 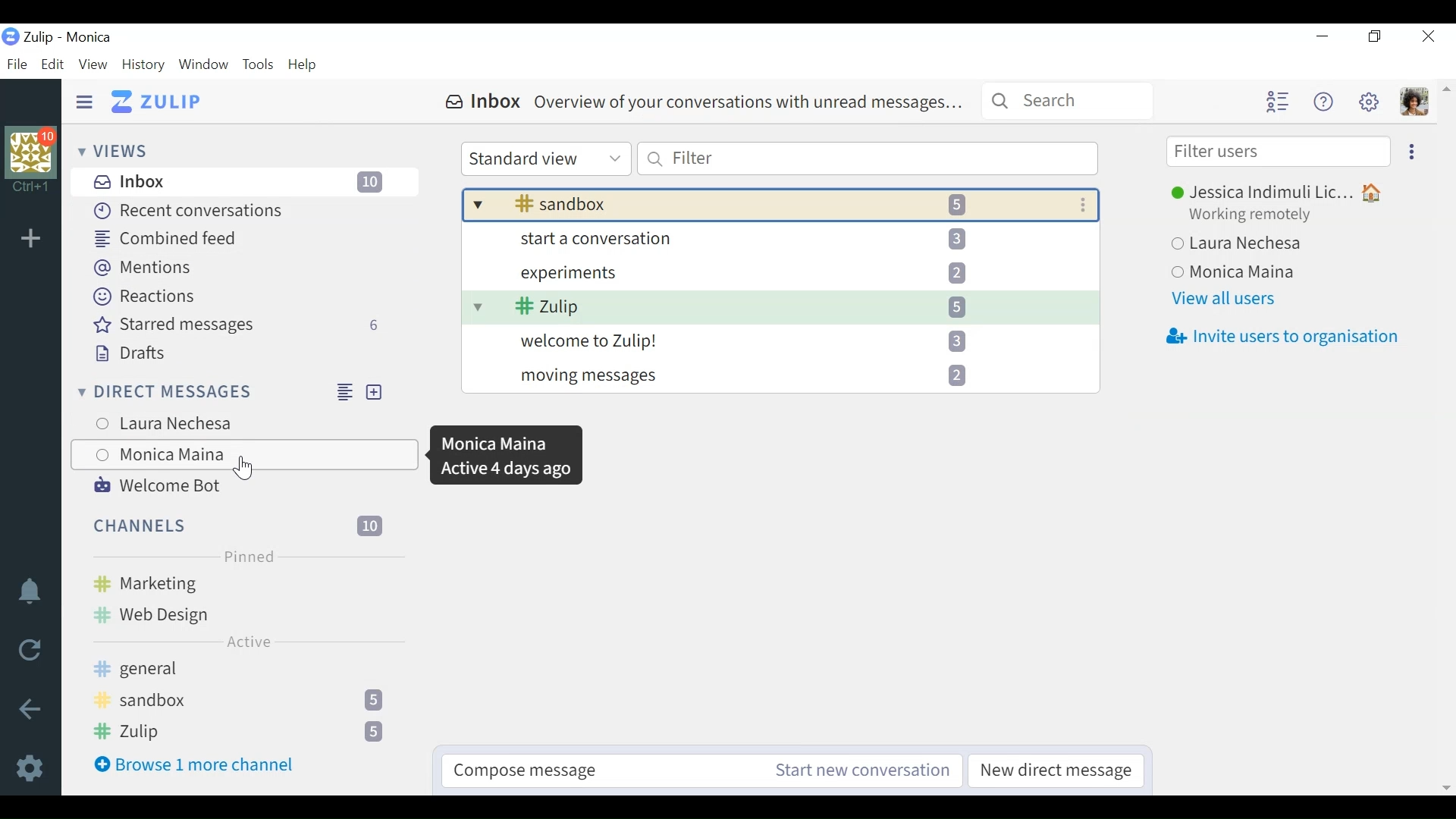 What do you see at coordinates (240, 325) in the screenshot?
I see `Starred messages` at bounding box center [240, 325].